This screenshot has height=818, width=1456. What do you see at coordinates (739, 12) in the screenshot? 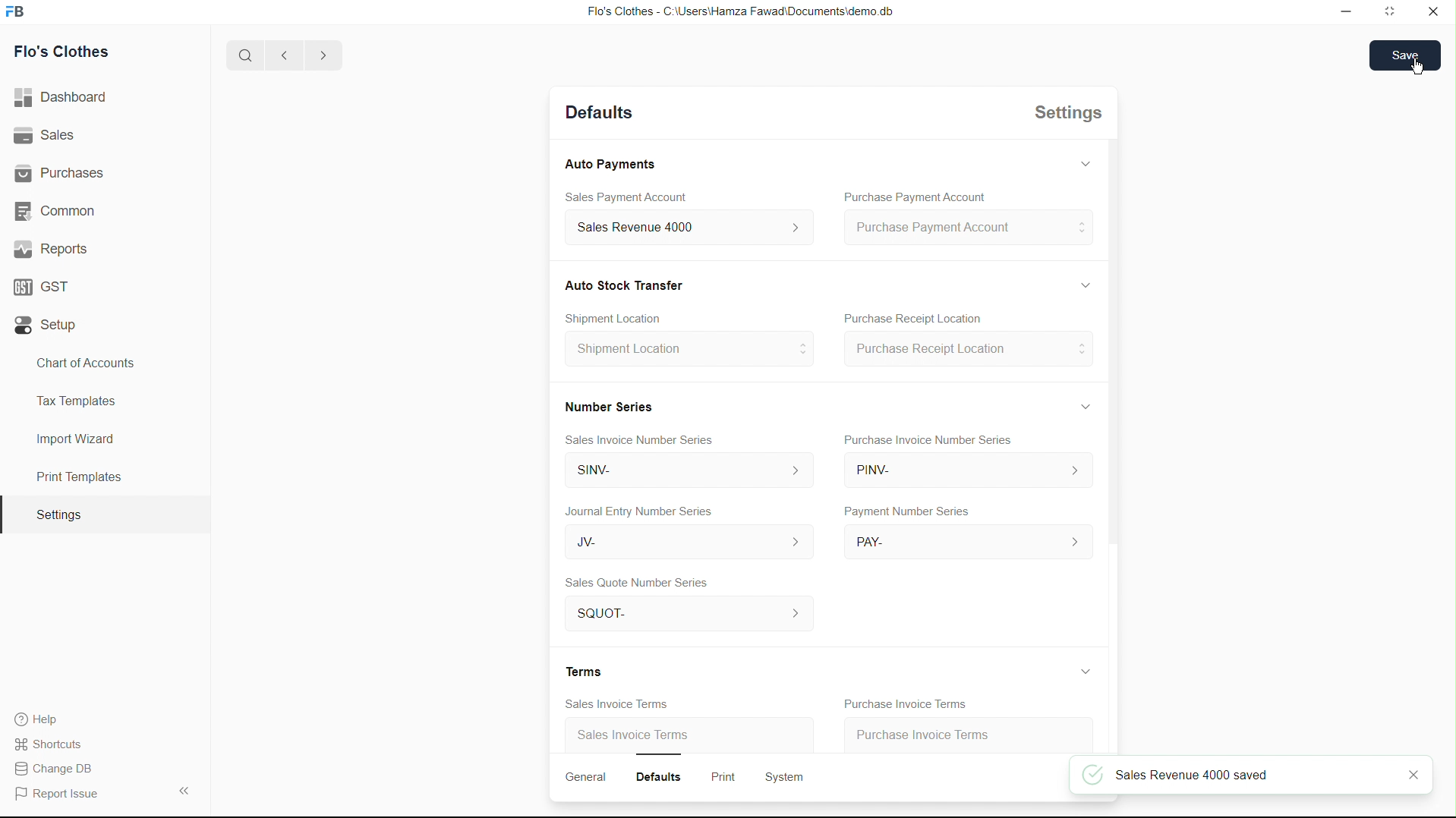
I see `Flo's Clothes - C:\Users\Hamza Fawad\Documents\demo db` at bounding box center [739, 12].